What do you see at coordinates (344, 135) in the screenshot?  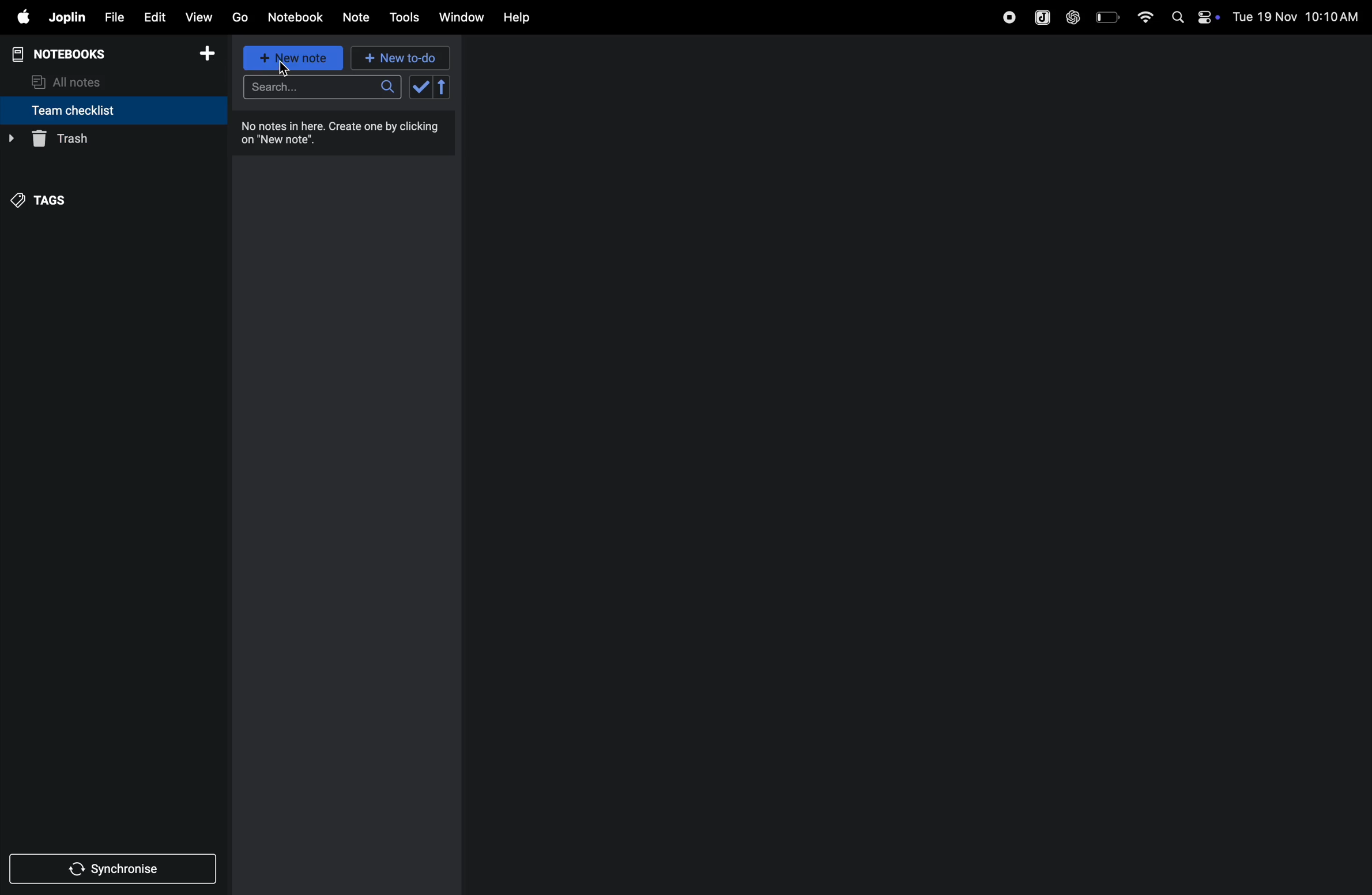 I see `No notes in here. Create one by clicking
on "New note".` at bounding box center [344, 135].